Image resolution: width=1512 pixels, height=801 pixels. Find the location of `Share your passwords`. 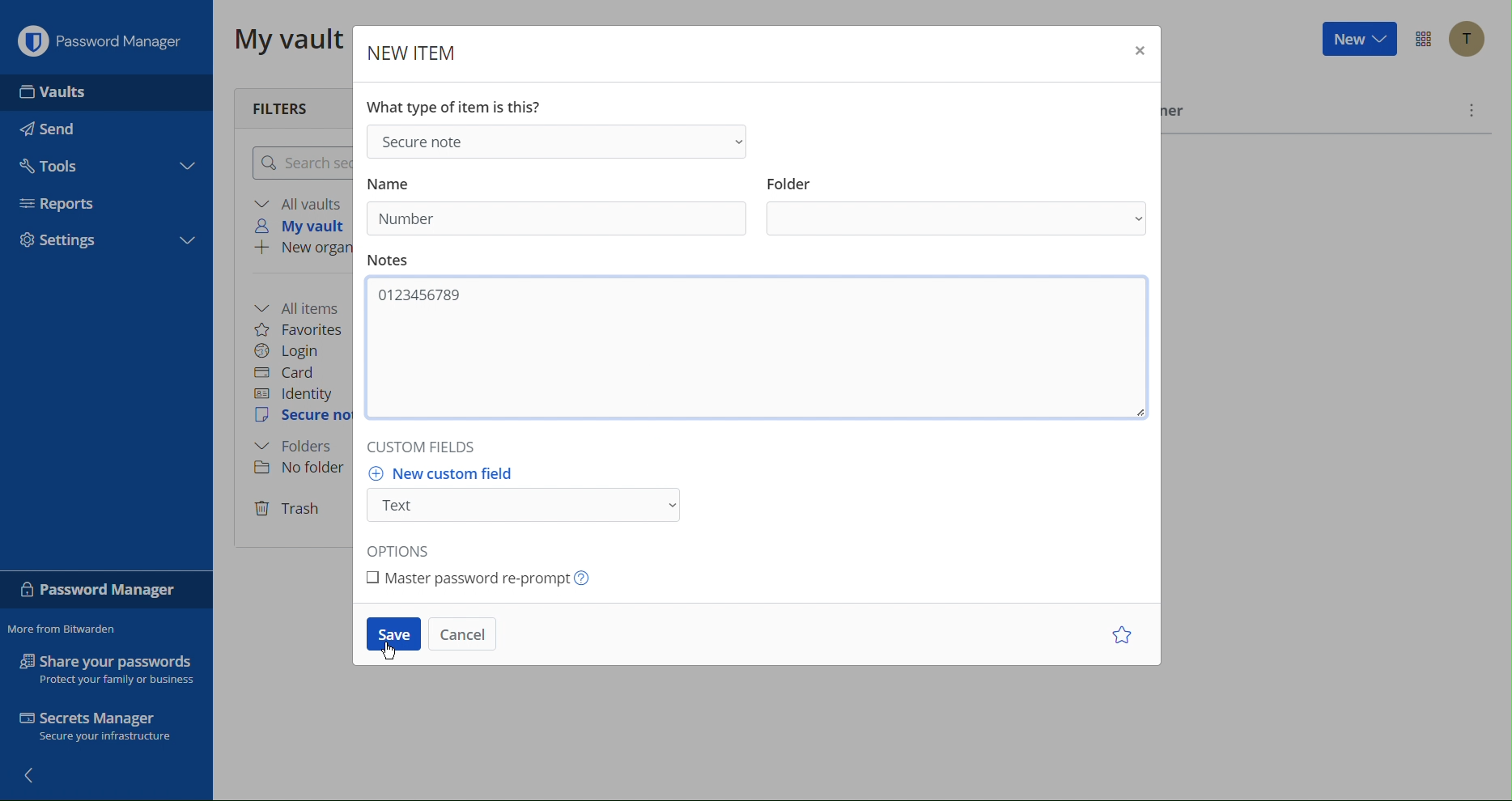

Share your passwords is located at coordinates (106, 668).